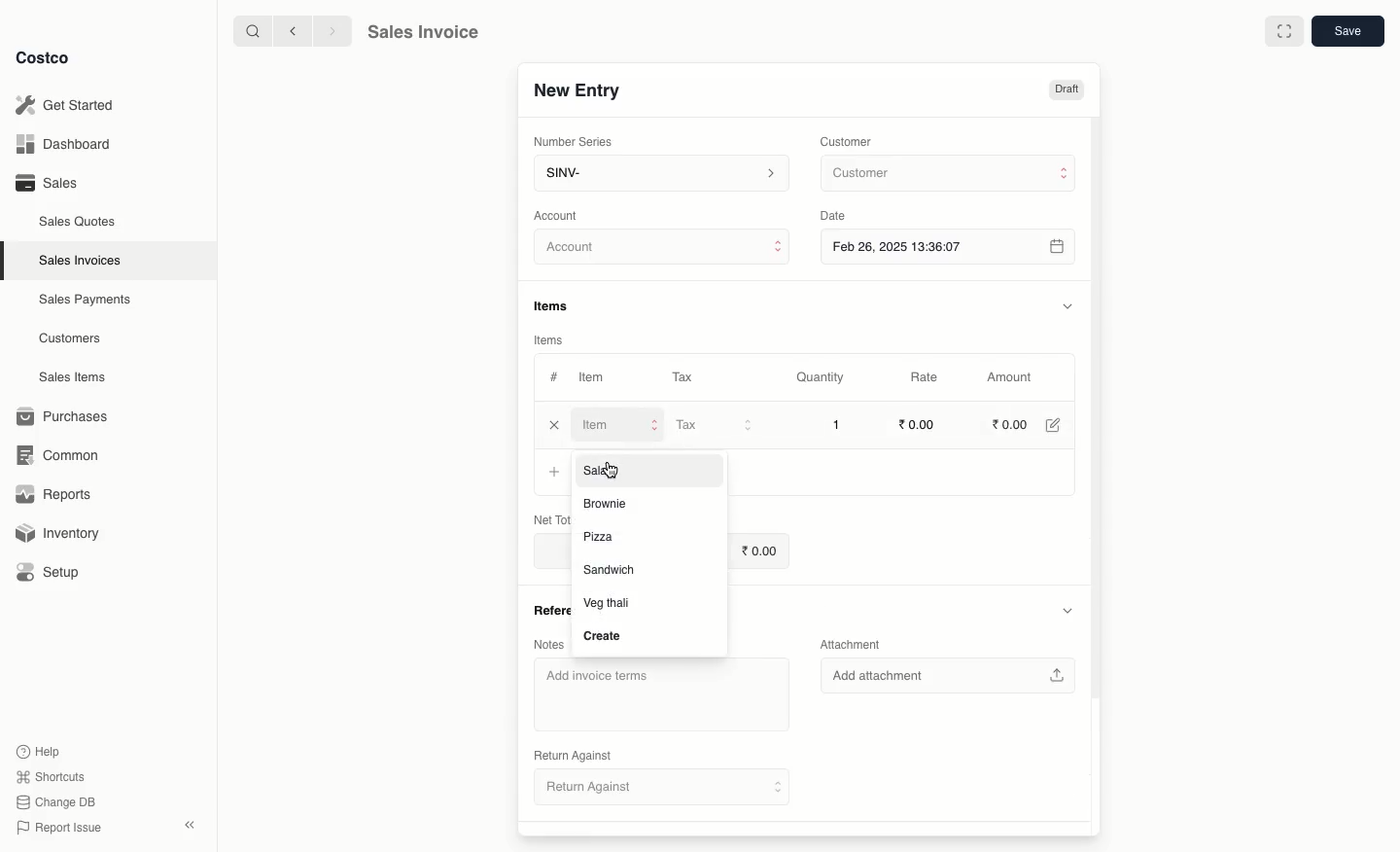  I want to click on References, so click(549, 611).